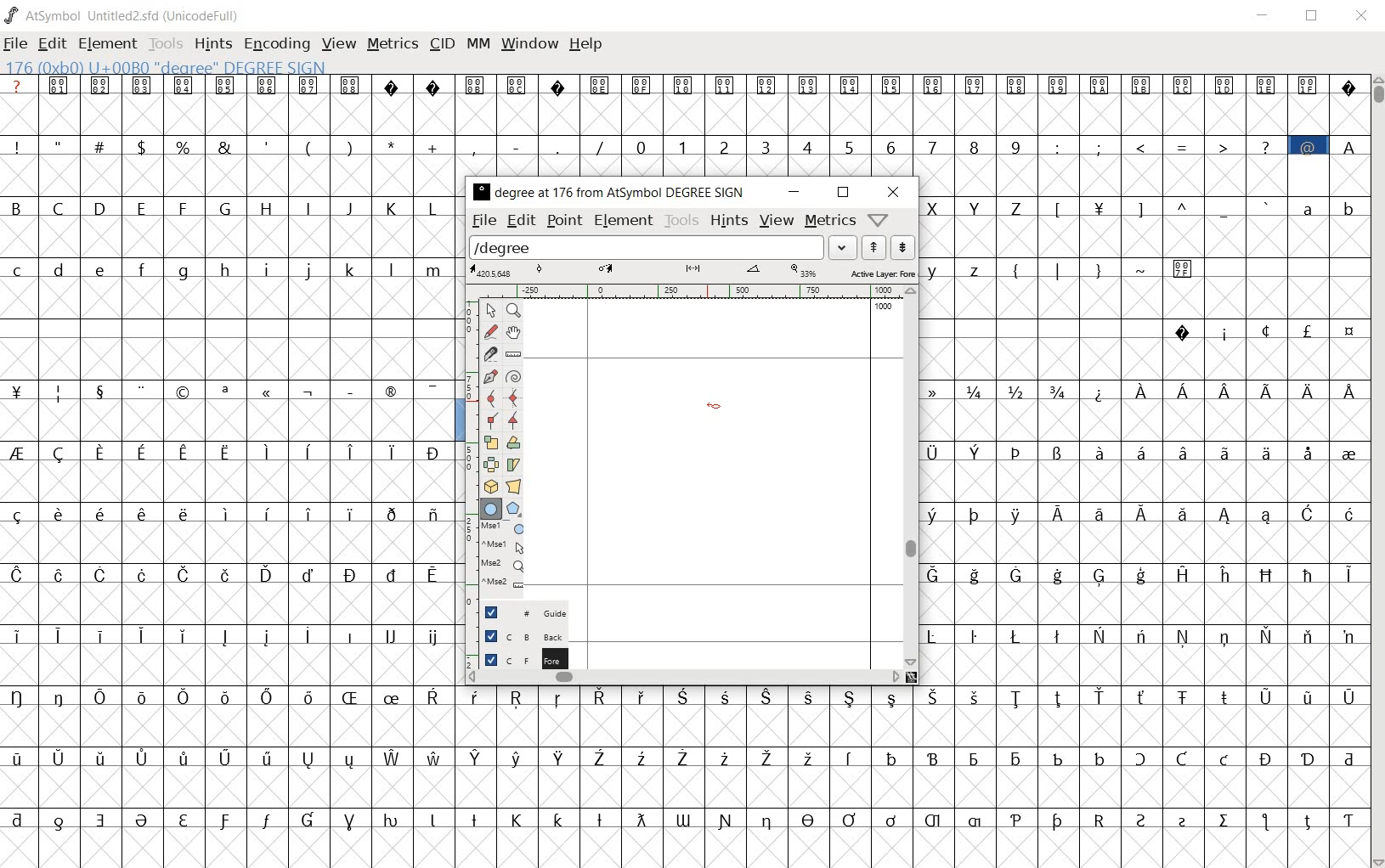 This screenshot has width=1385, height=868. I want to click on , so click(229, 511).